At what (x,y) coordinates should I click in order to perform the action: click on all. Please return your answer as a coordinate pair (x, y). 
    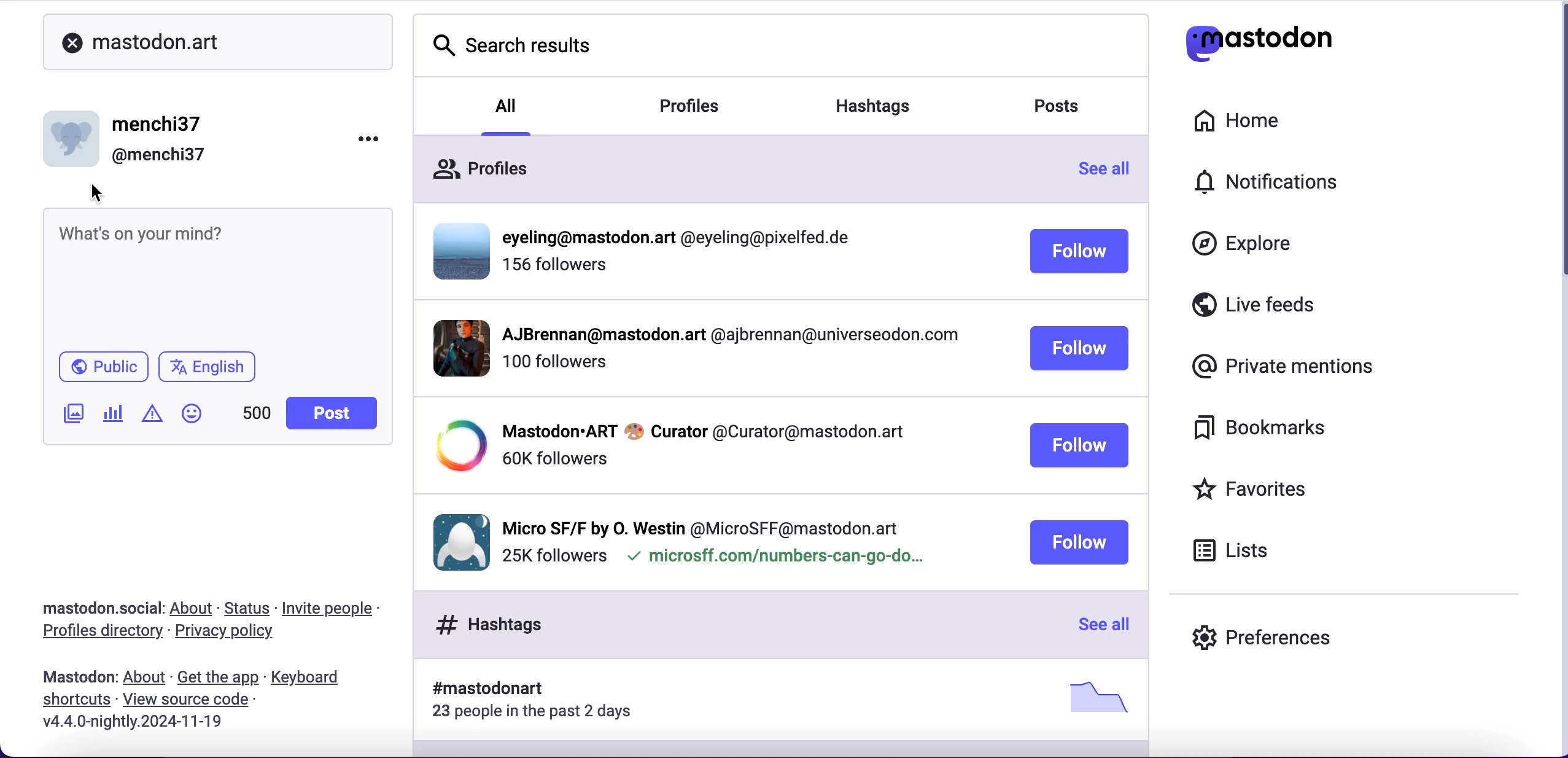
    Looking at the image, I should click on (503, 112).